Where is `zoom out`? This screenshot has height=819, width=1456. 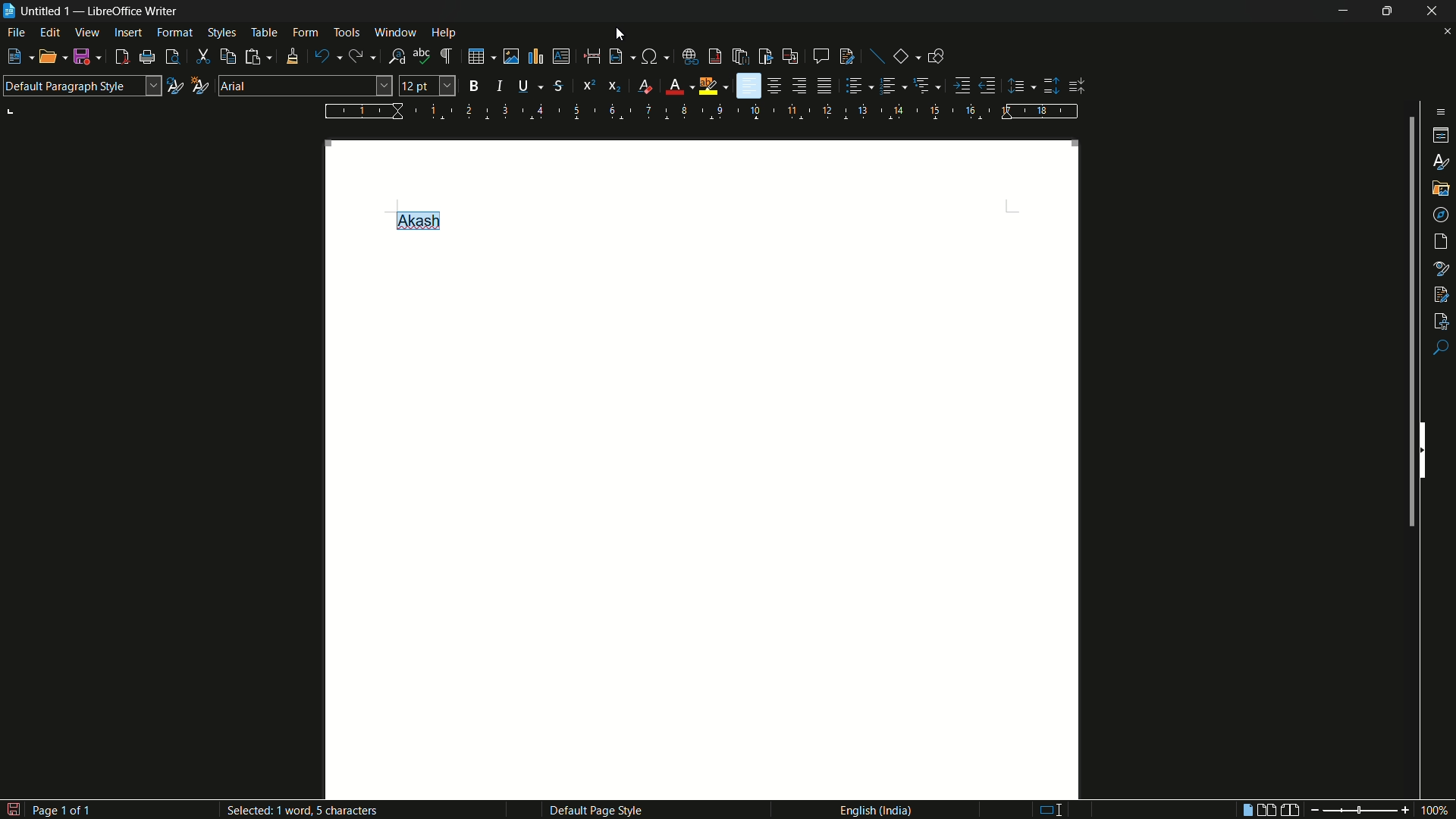 zoom out is located at coordinates (1345, 811).